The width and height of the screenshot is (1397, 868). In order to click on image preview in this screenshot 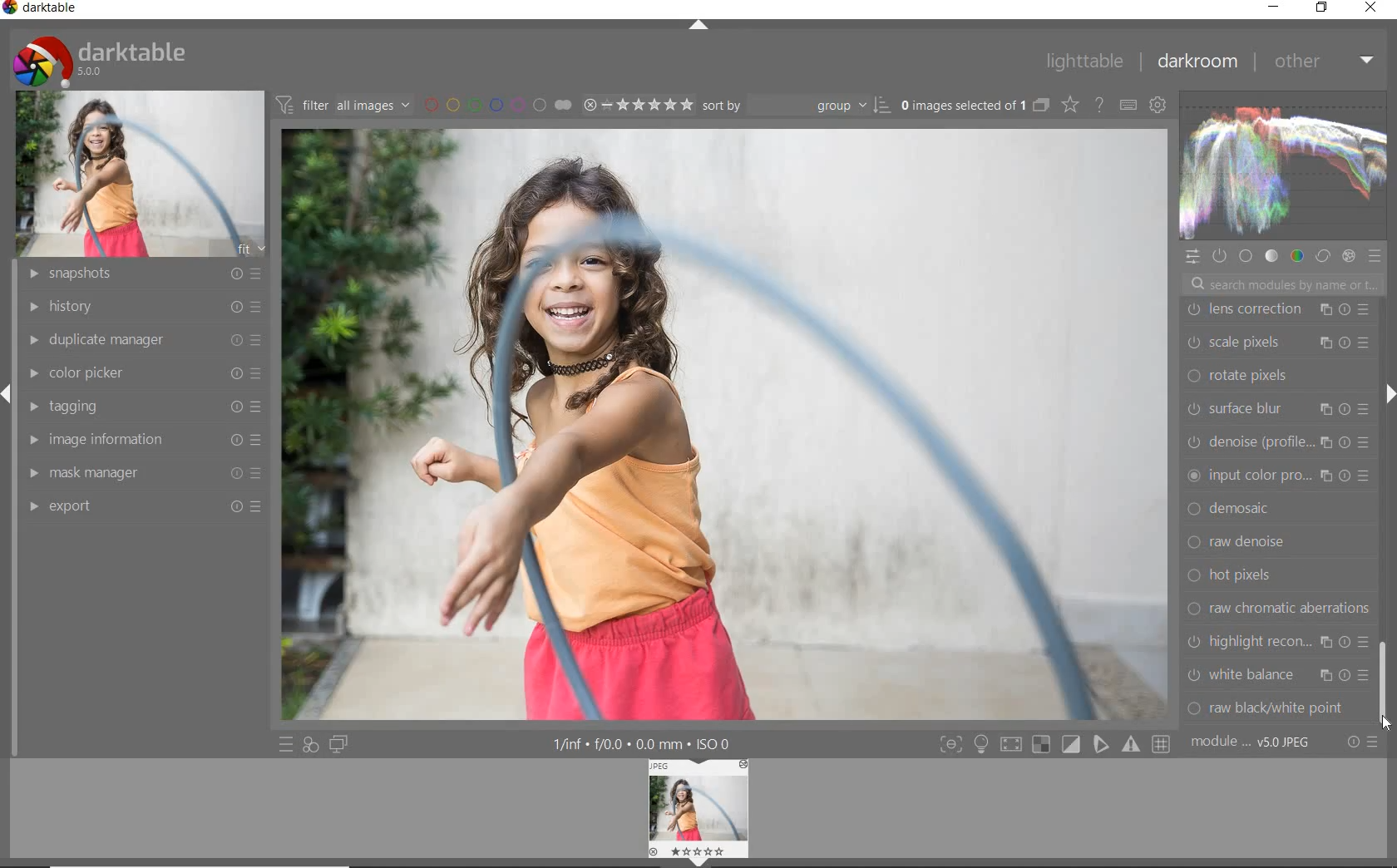, I will do `click(699, 813)`.